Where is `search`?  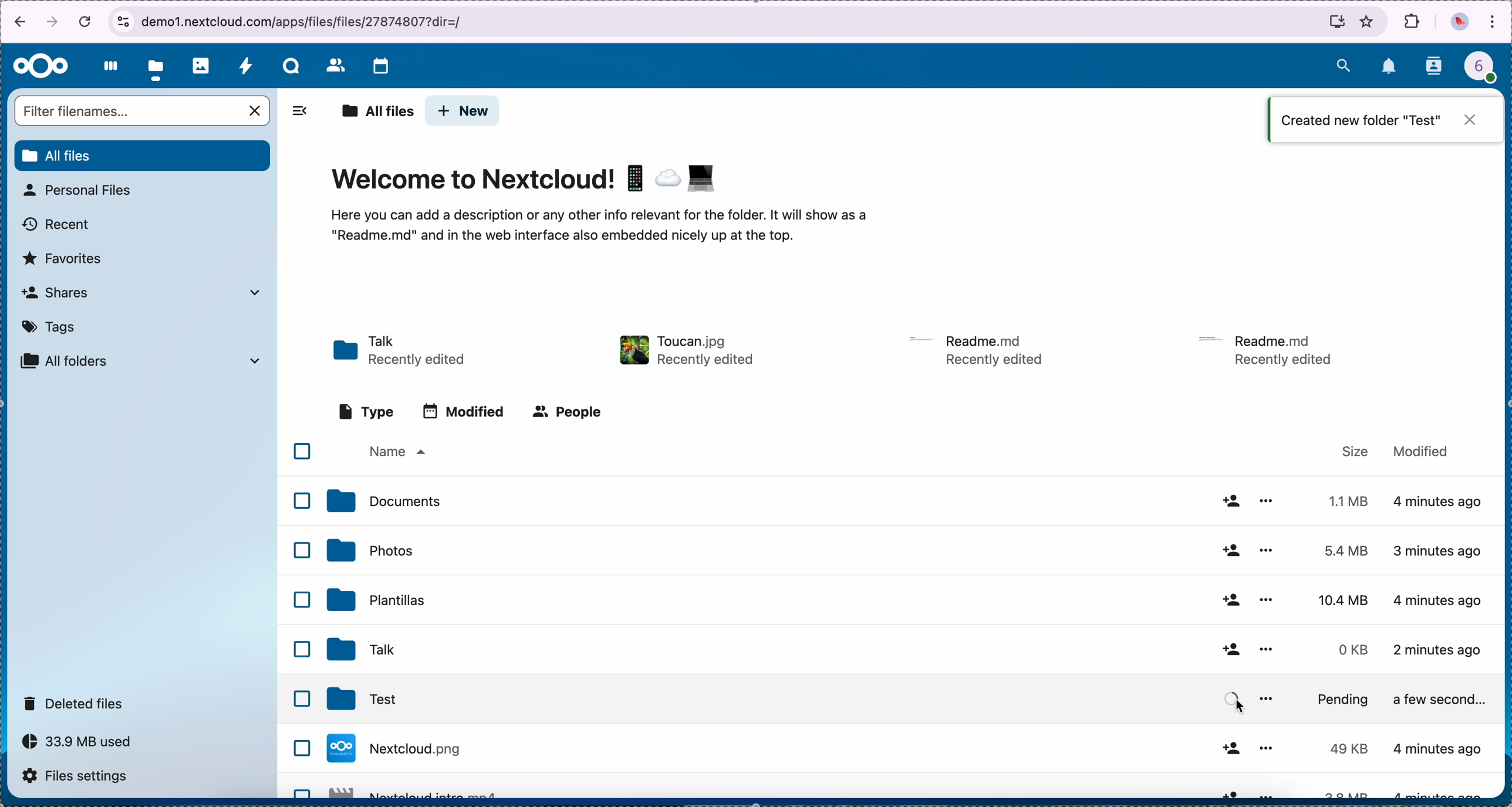
search is located at coordinates (1343, 63).